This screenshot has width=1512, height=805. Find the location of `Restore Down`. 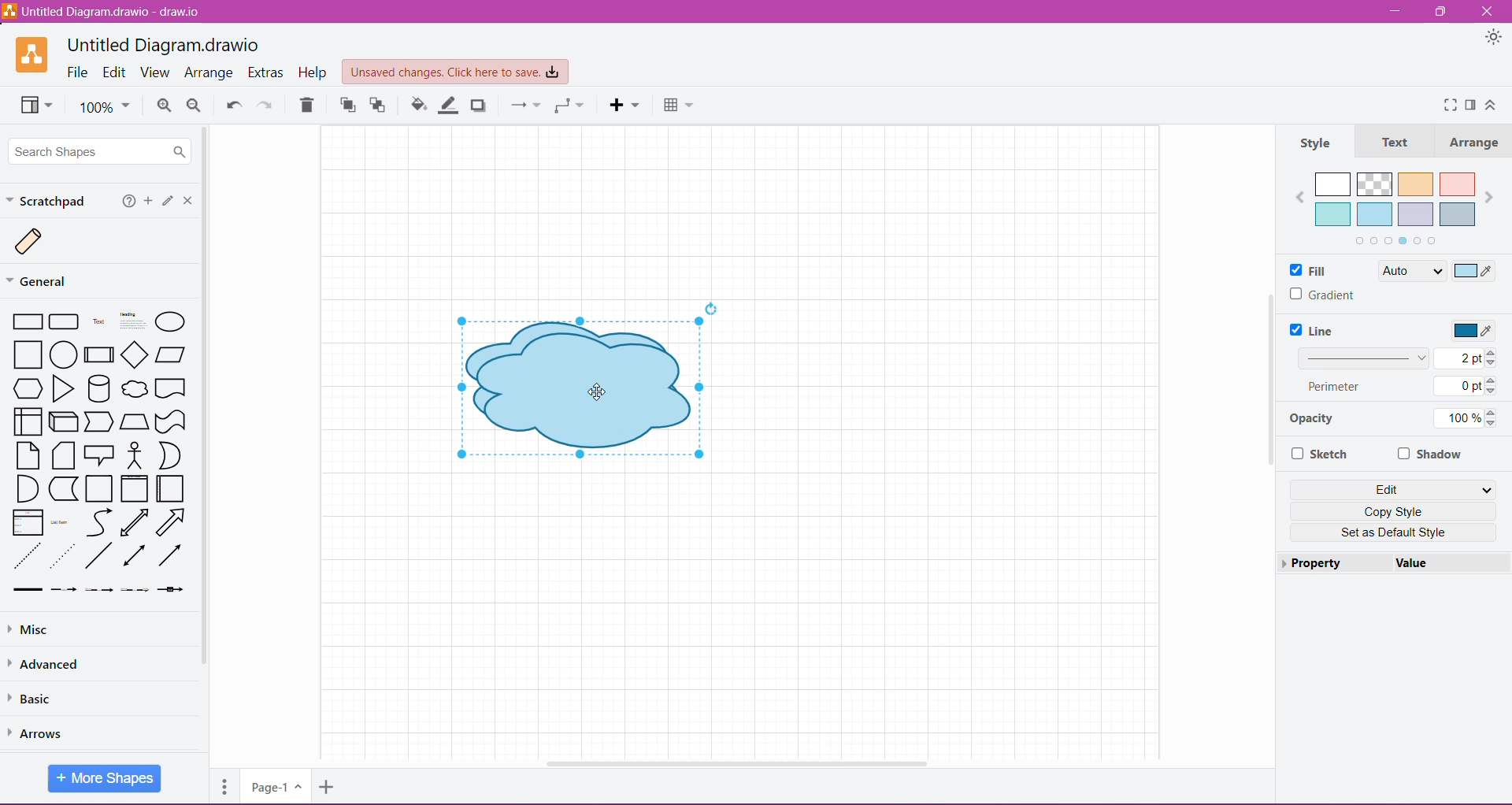

Restore Down is located at coordinates (1443, 12).